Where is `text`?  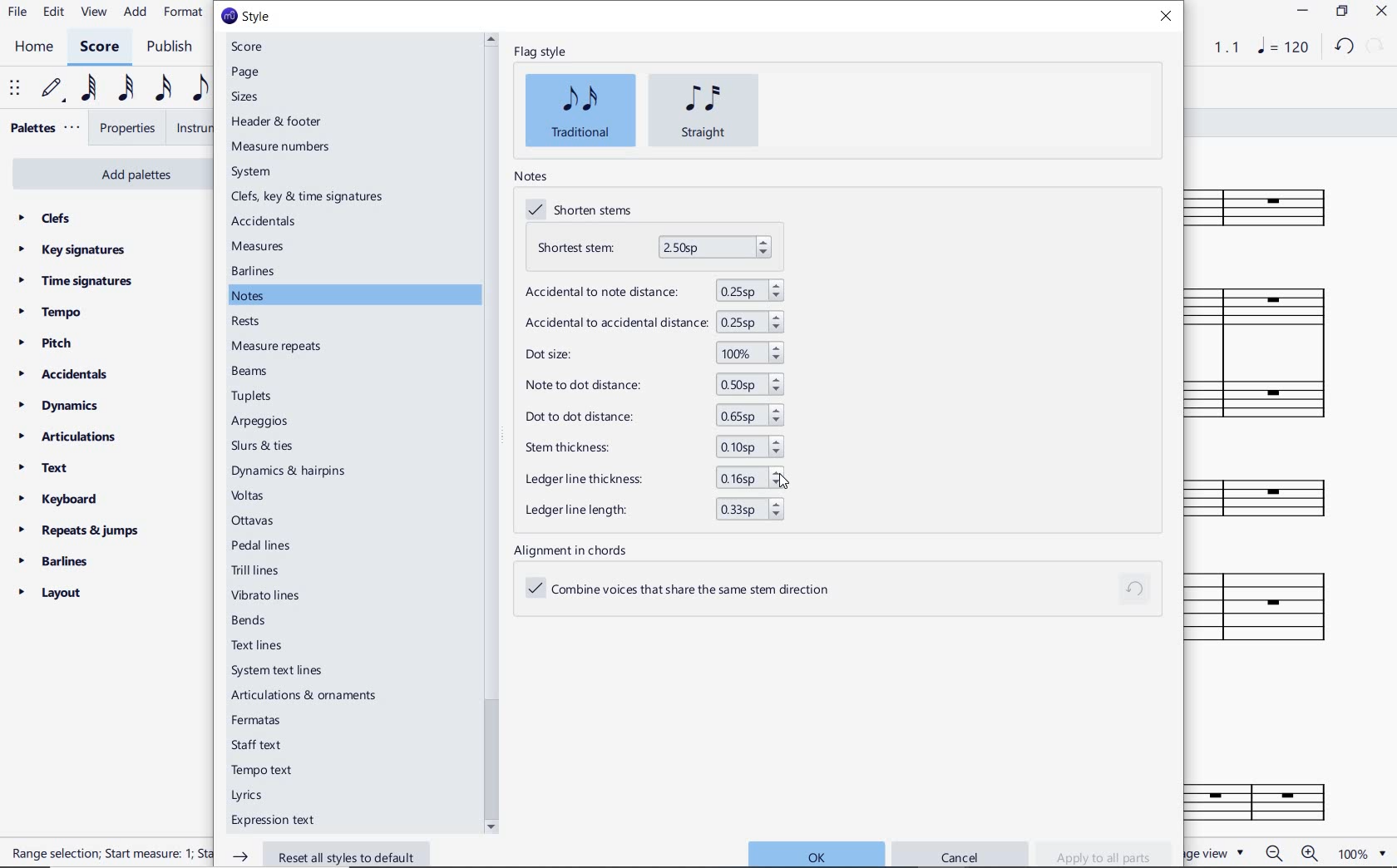
text is located at coordinates (43, 468).